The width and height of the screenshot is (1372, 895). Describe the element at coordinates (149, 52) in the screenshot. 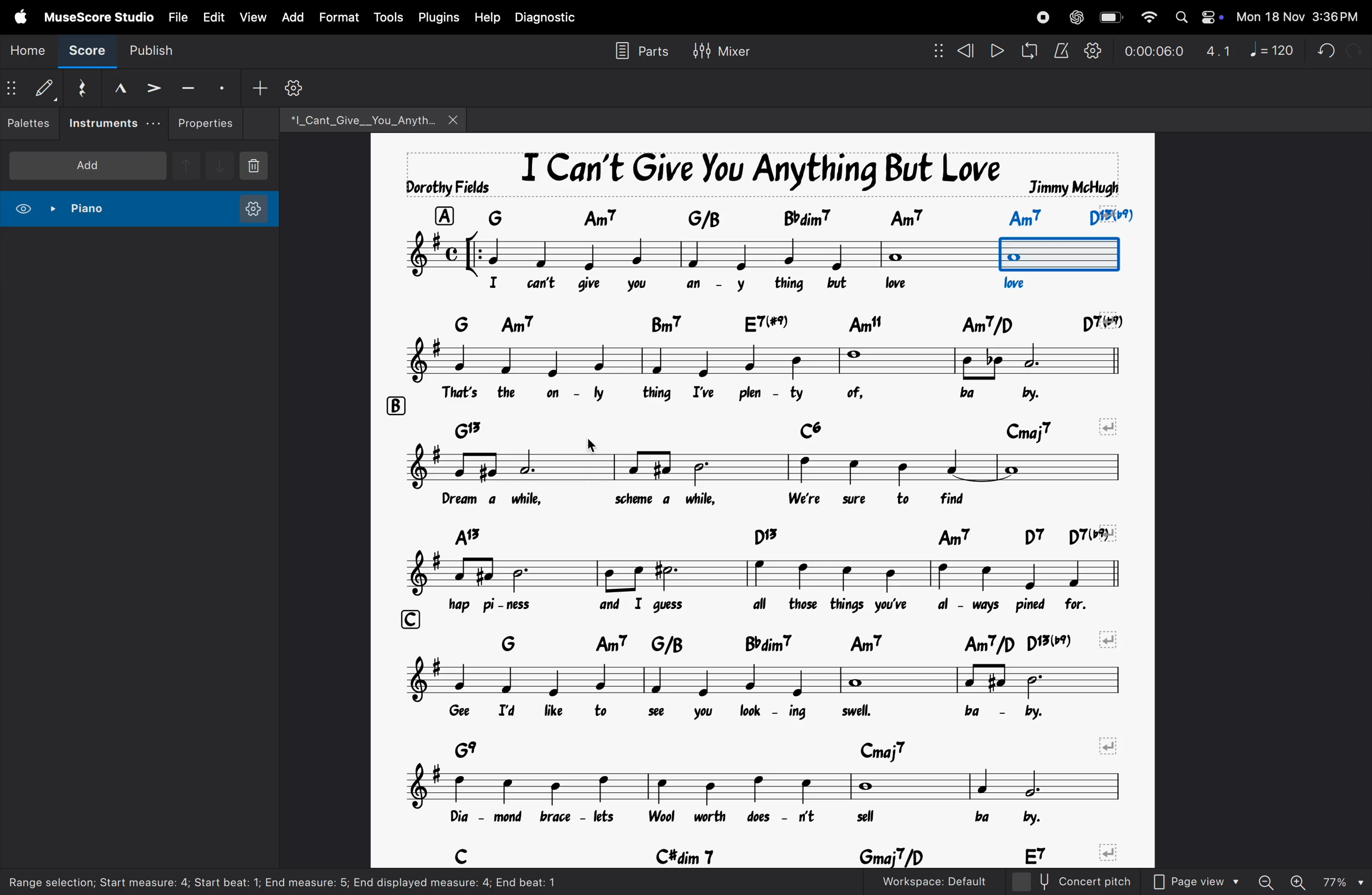

I see `publish` at that location.